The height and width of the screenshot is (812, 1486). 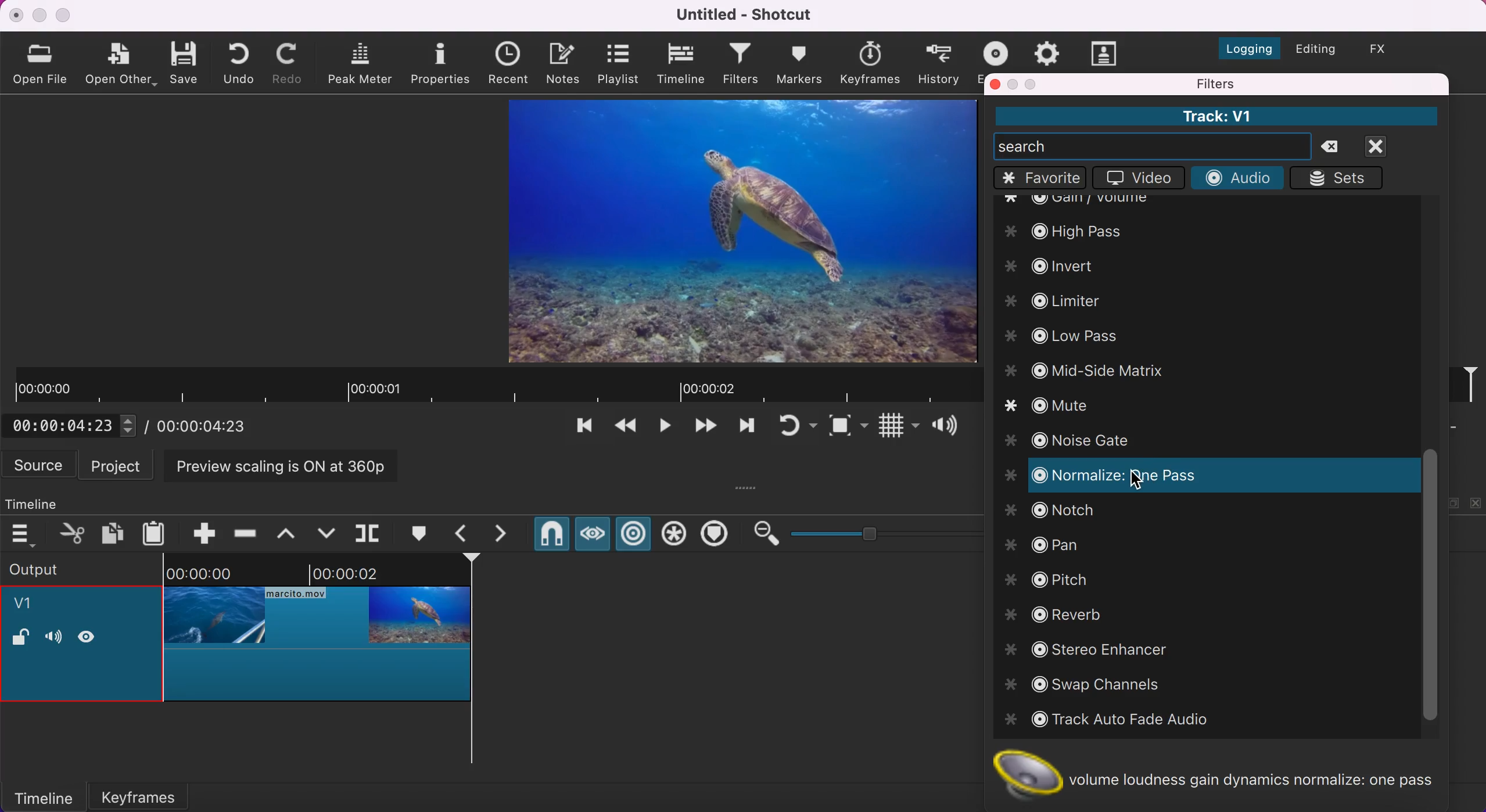 I want to click on jobs, so click(x=1047, y=51).